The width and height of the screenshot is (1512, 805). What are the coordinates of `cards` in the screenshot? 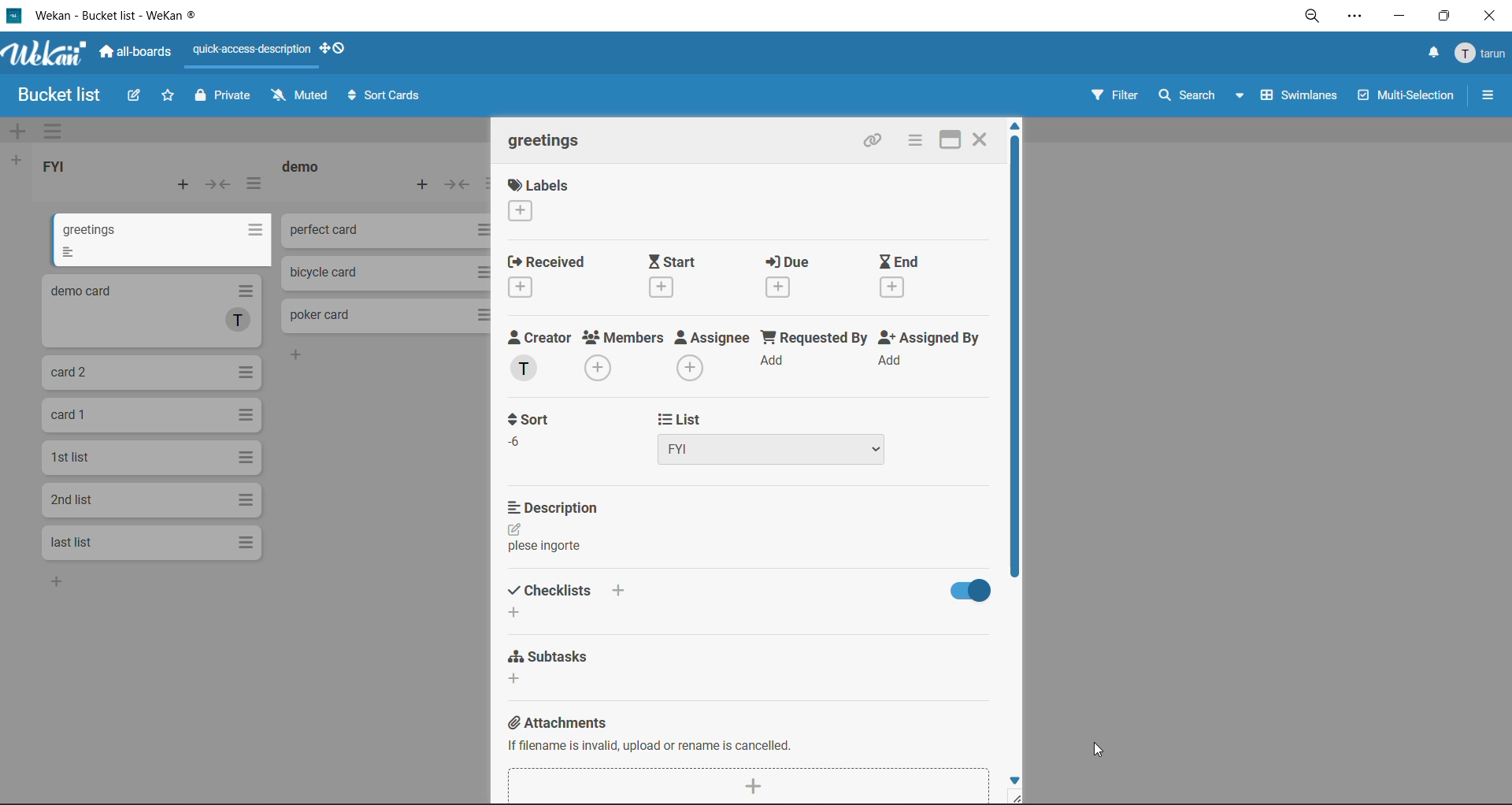 It's located at (151, 373).